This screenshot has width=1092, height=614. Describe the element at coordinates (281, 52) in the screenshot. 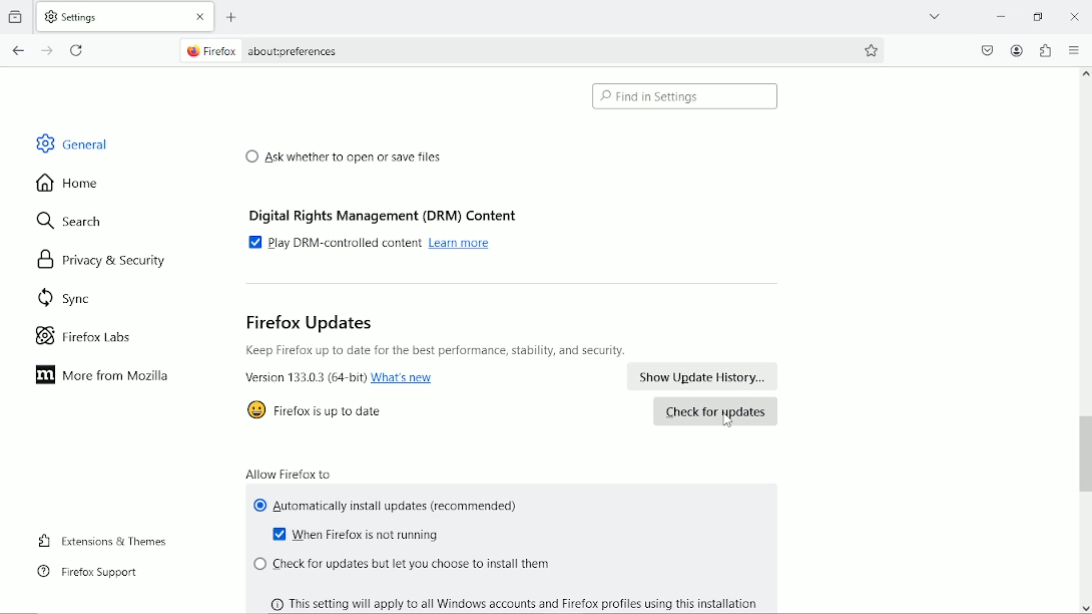

I see `@ Firefox aboutpreferences,` at that location.